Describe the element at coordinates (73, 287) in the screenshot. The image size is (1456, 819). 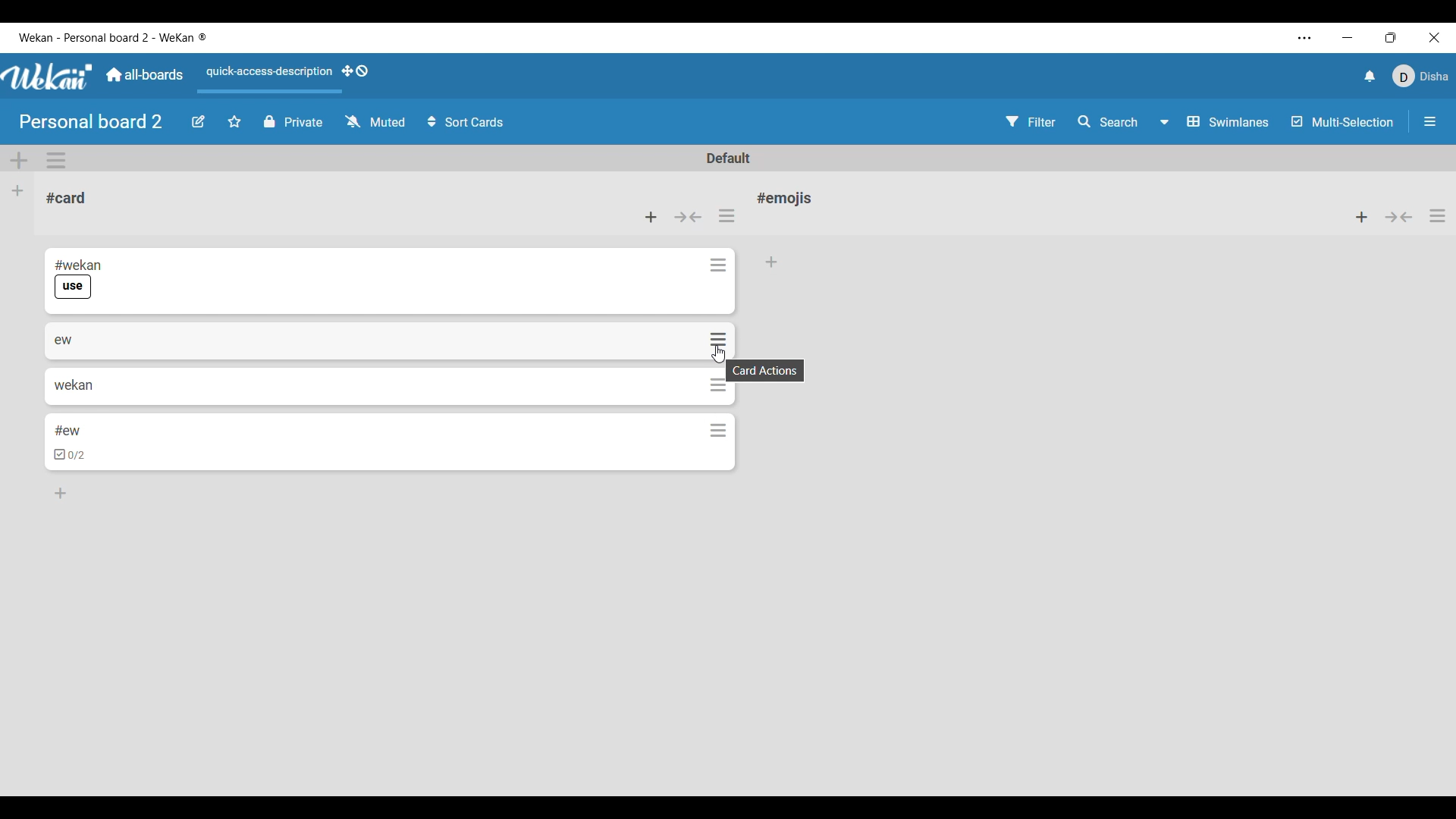
I see `use` at that location.